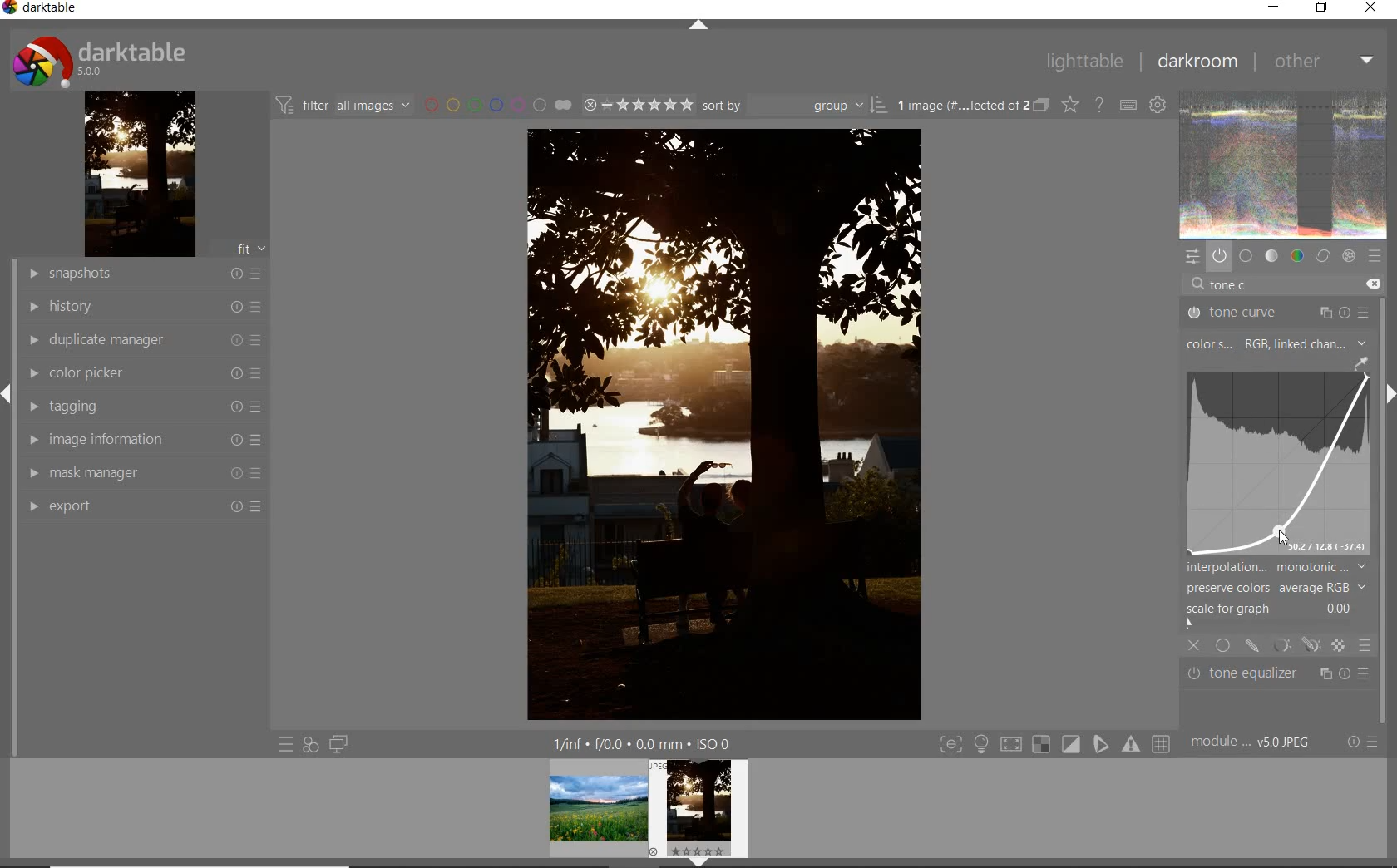  I want to click on TONE CURVE, so click(1278, 311).